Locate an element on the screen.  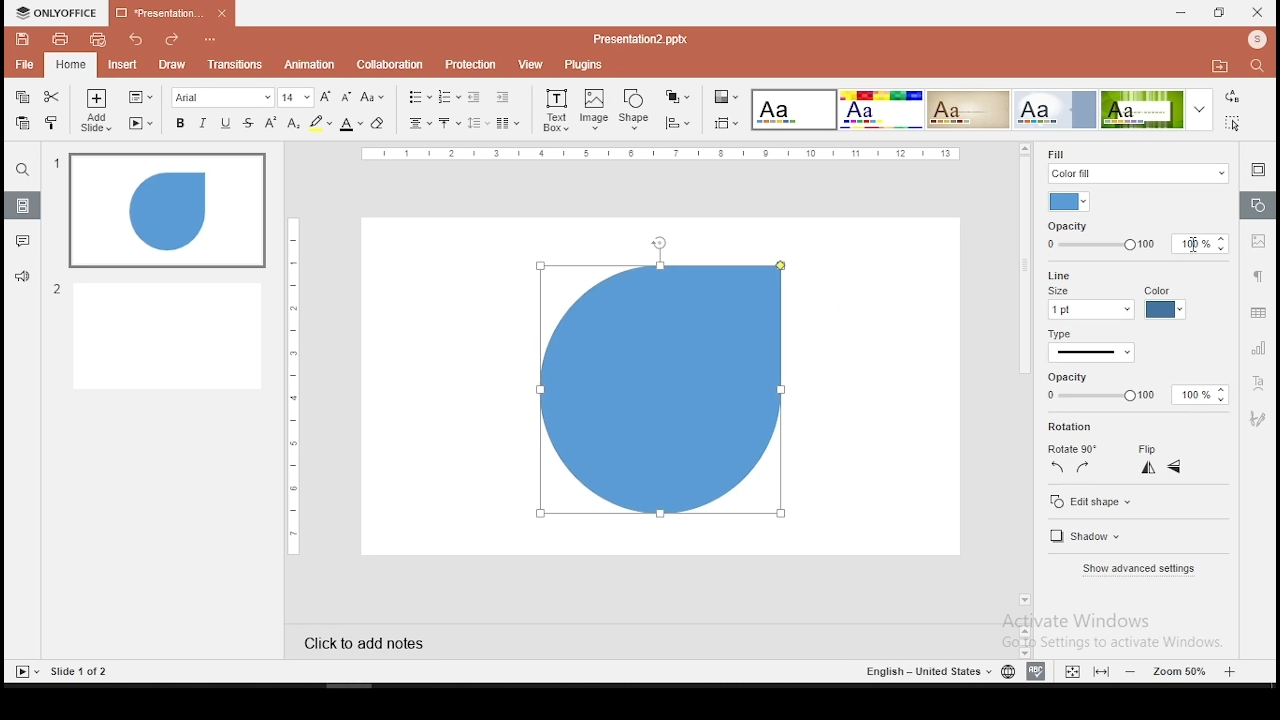
arrange objects is located at coordinates (675, 97).